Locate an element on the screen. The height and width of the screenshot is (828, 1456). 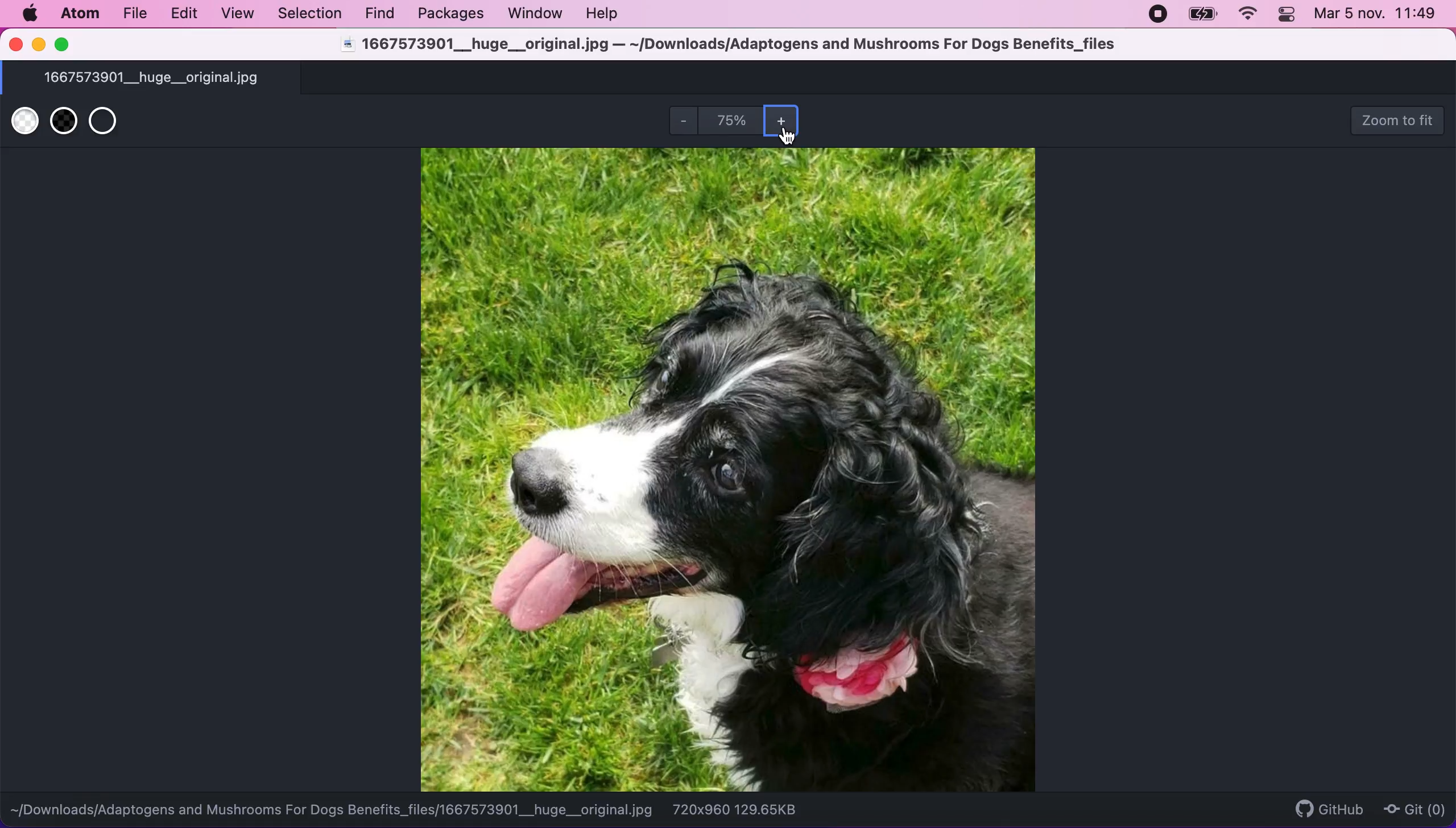
720x960 129.65kb is located at coordinates (748, 809).